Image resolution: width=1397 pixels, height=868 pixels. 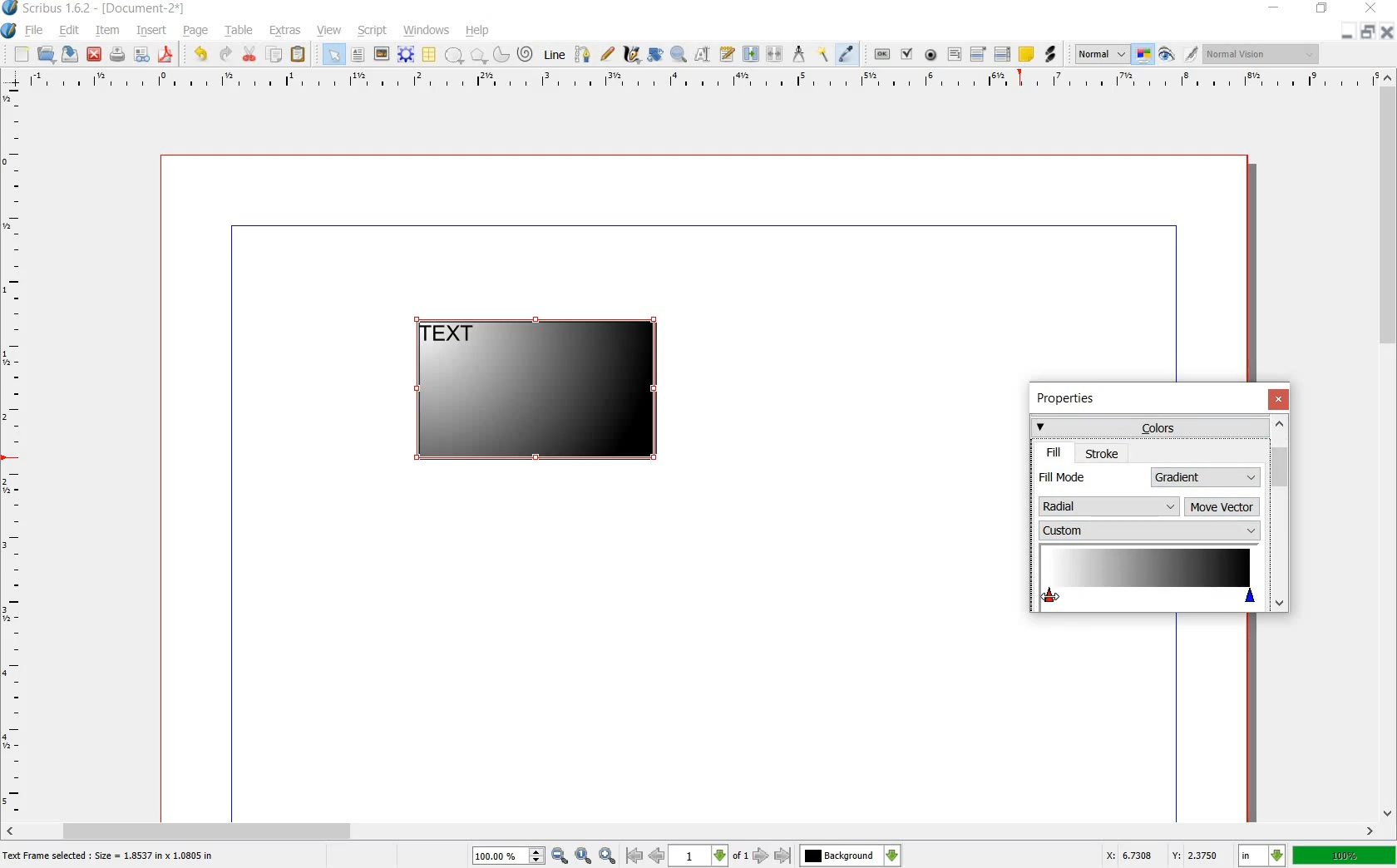 I want to click on shape, so click(x=454, y=56).